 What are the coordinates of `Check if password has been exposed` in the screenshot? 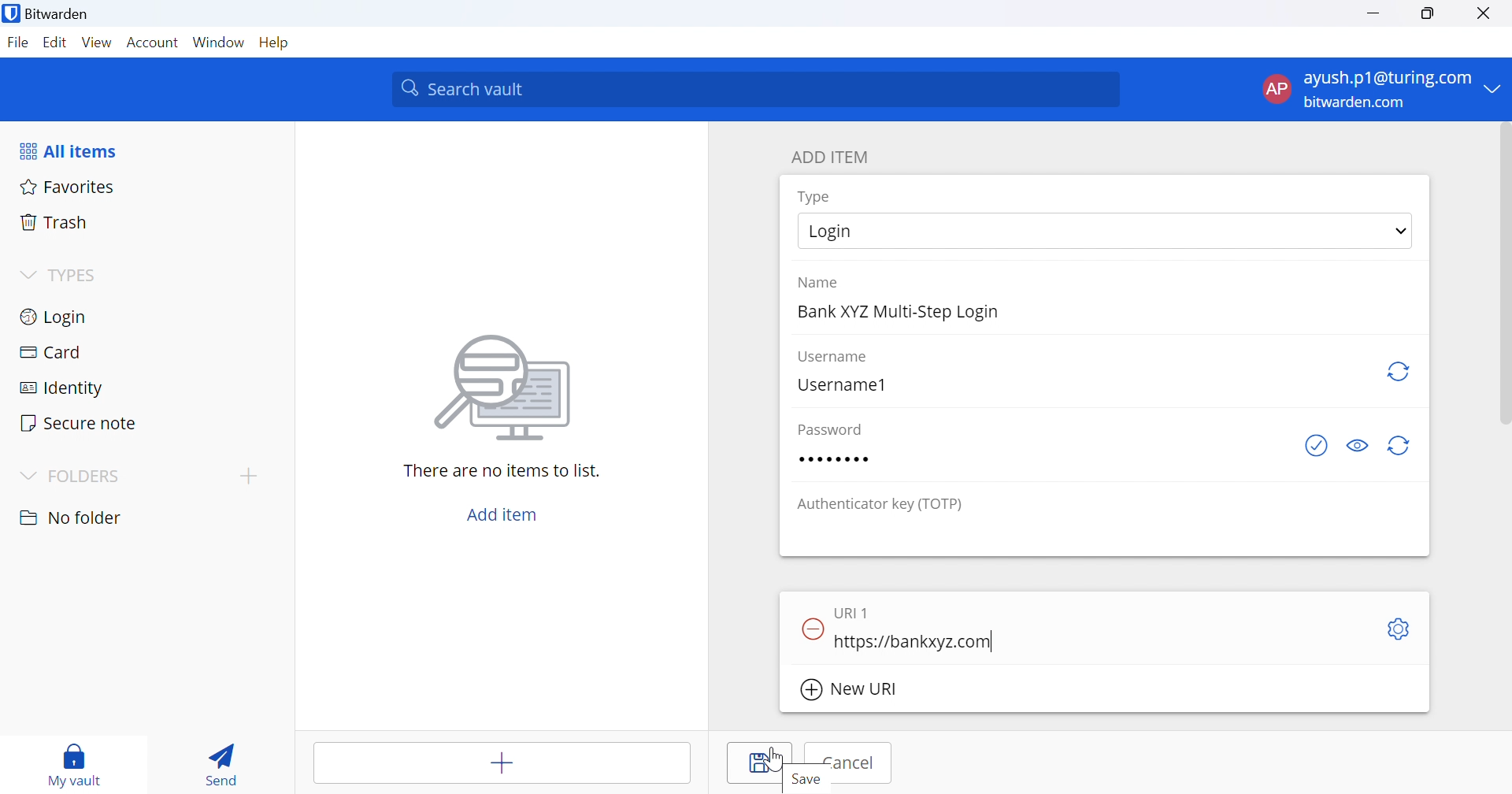 It's located at (1316, 449).